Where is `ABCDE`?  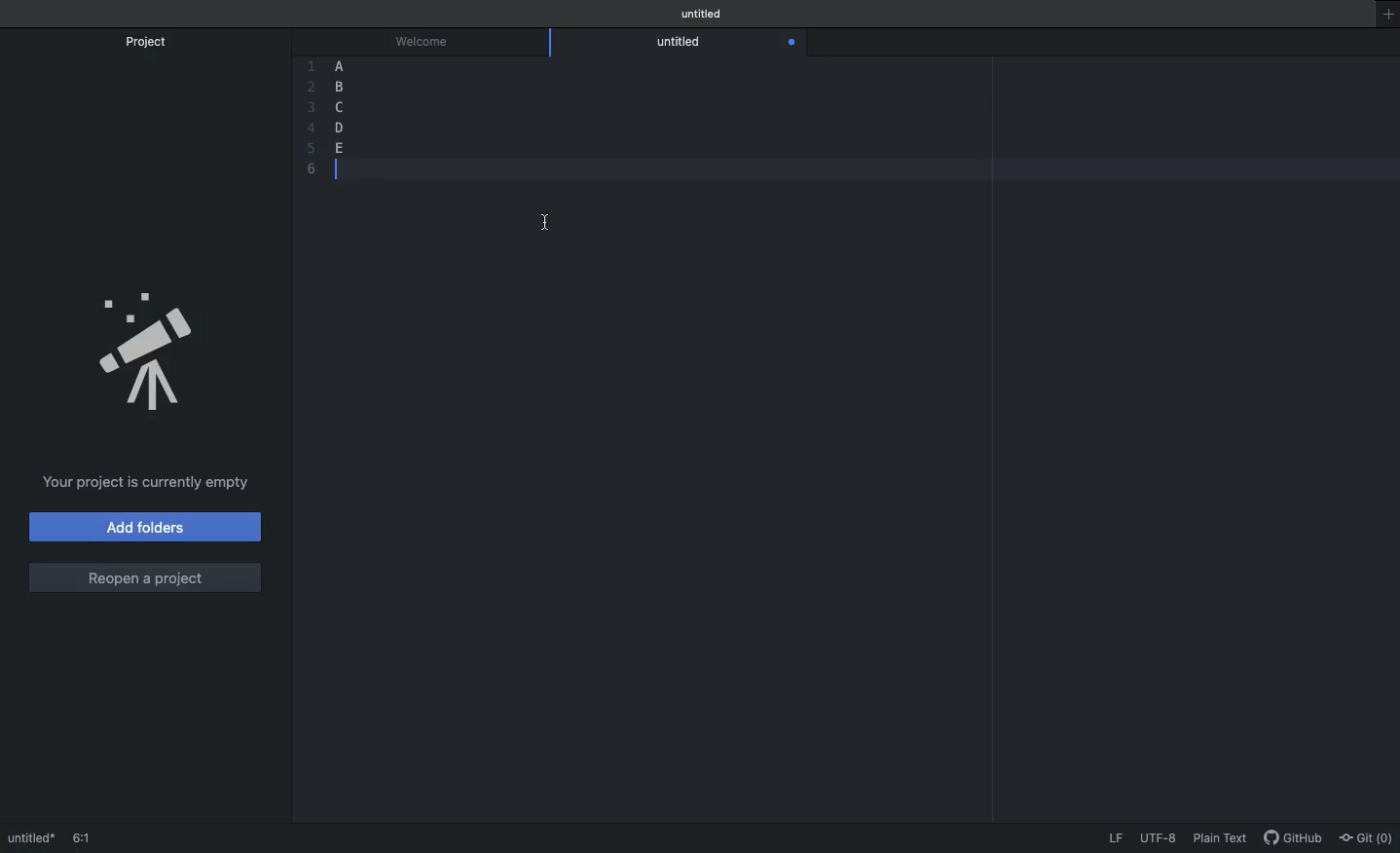 ABCDE is located at coordinates (340, 102).